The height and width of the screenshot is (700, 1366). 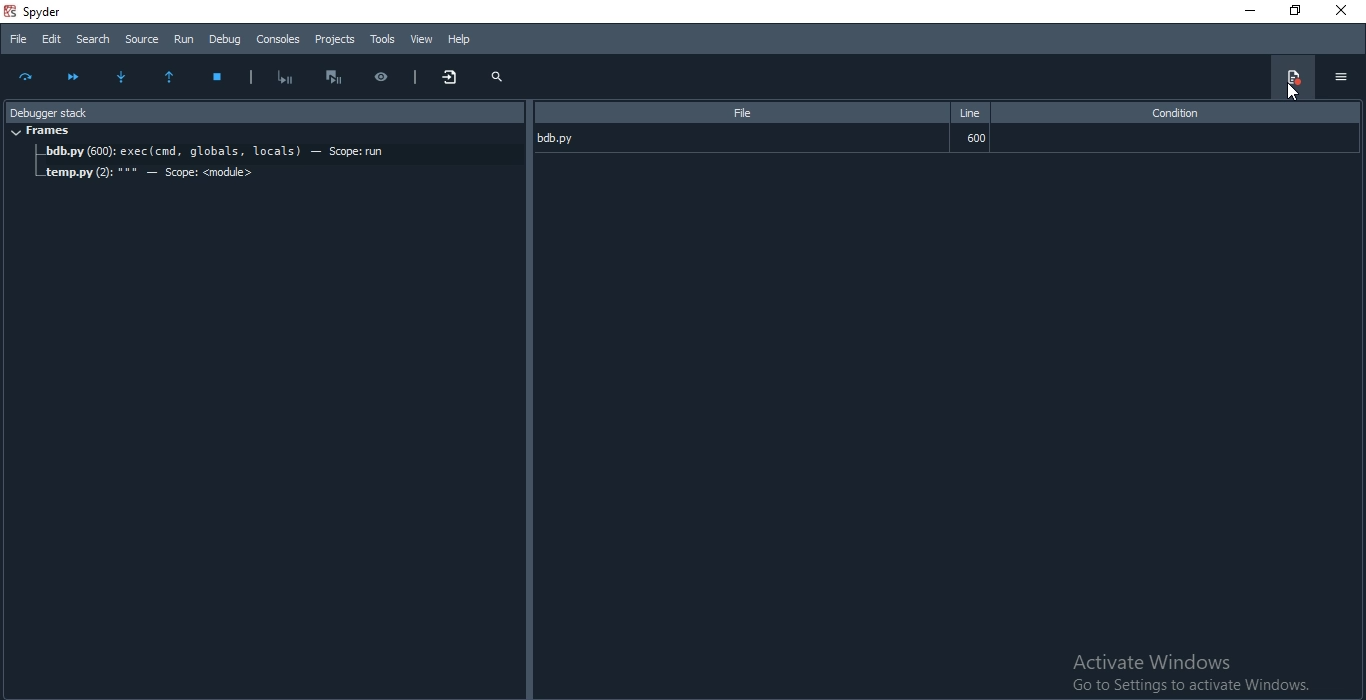 I want to click on options, so click(x=1340, y=77).